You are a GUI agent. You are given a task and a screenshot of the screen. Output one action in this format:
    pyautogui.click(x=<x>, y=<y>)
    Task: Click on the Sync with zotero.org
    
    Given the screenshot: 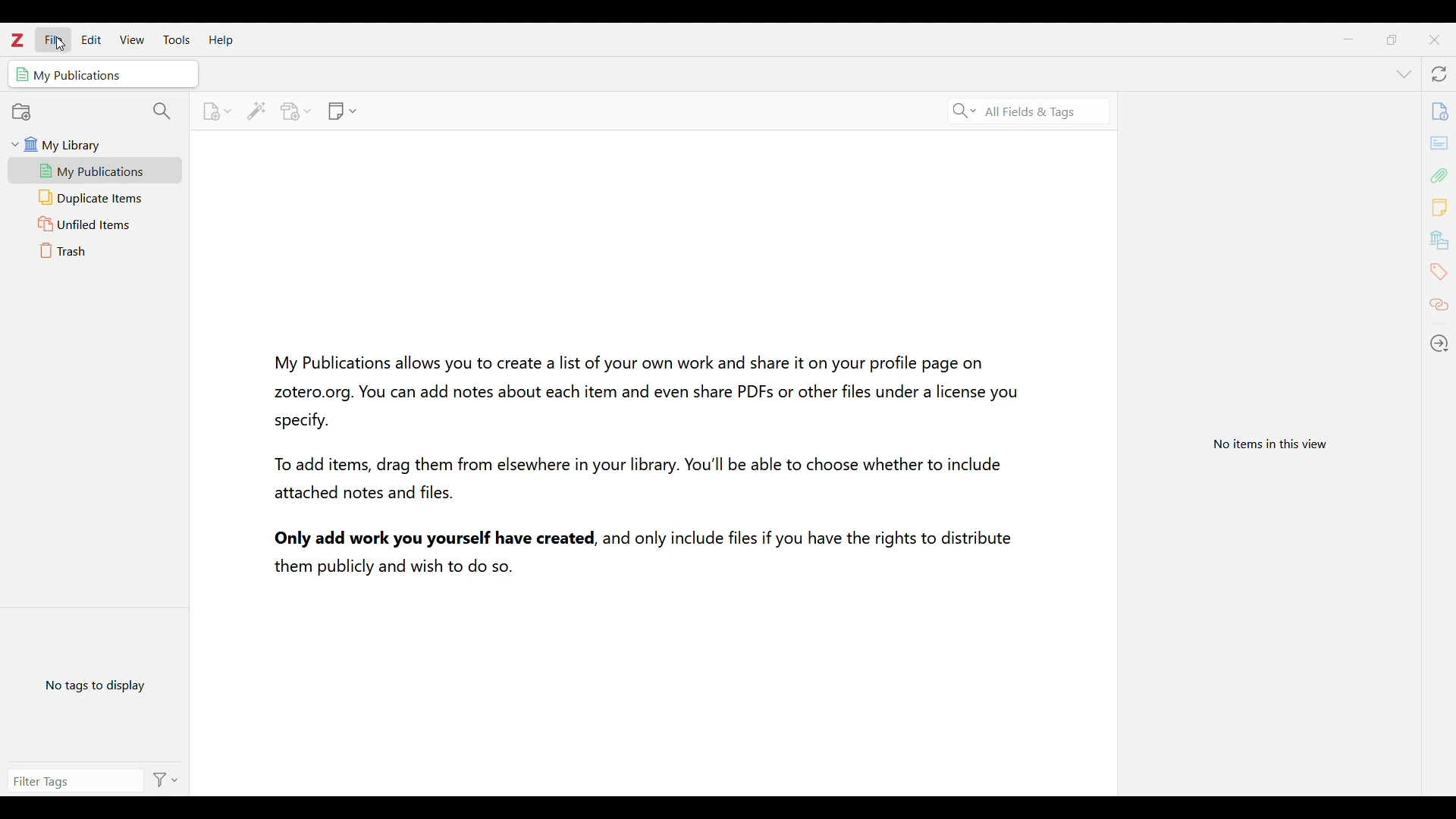 What is the action you would take?
    pyautogui.click(x=1439, y=74)
    